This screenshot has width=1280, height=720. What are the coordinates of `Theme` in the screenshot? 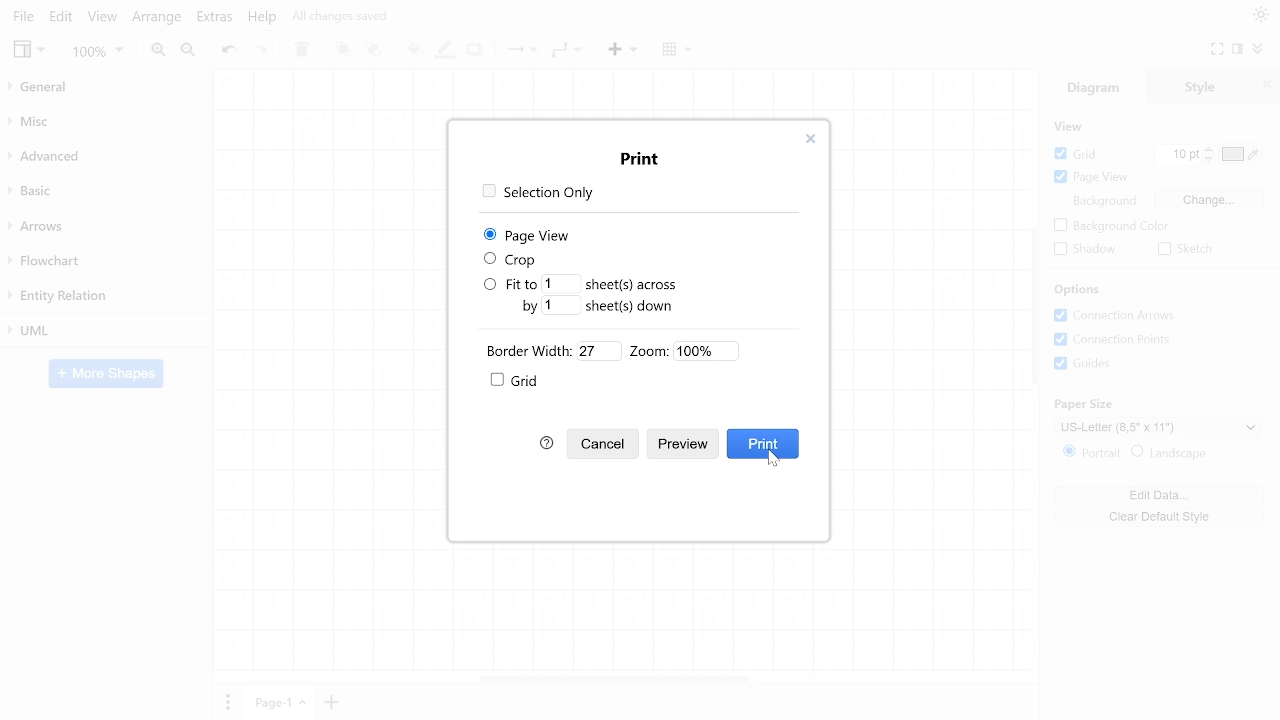 It's located at (1258, 16).